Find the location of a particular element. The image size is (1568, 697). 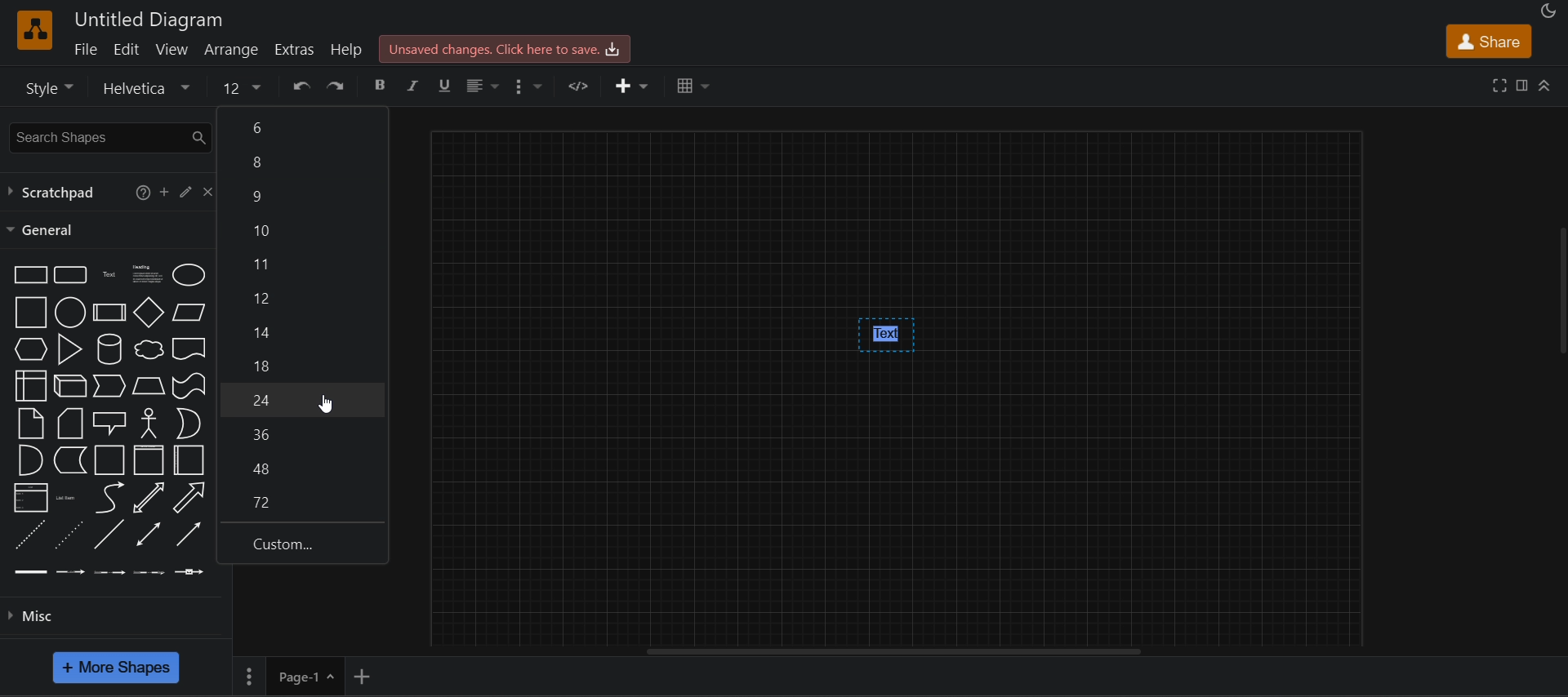

more settings is located at coordinates (247, 677).